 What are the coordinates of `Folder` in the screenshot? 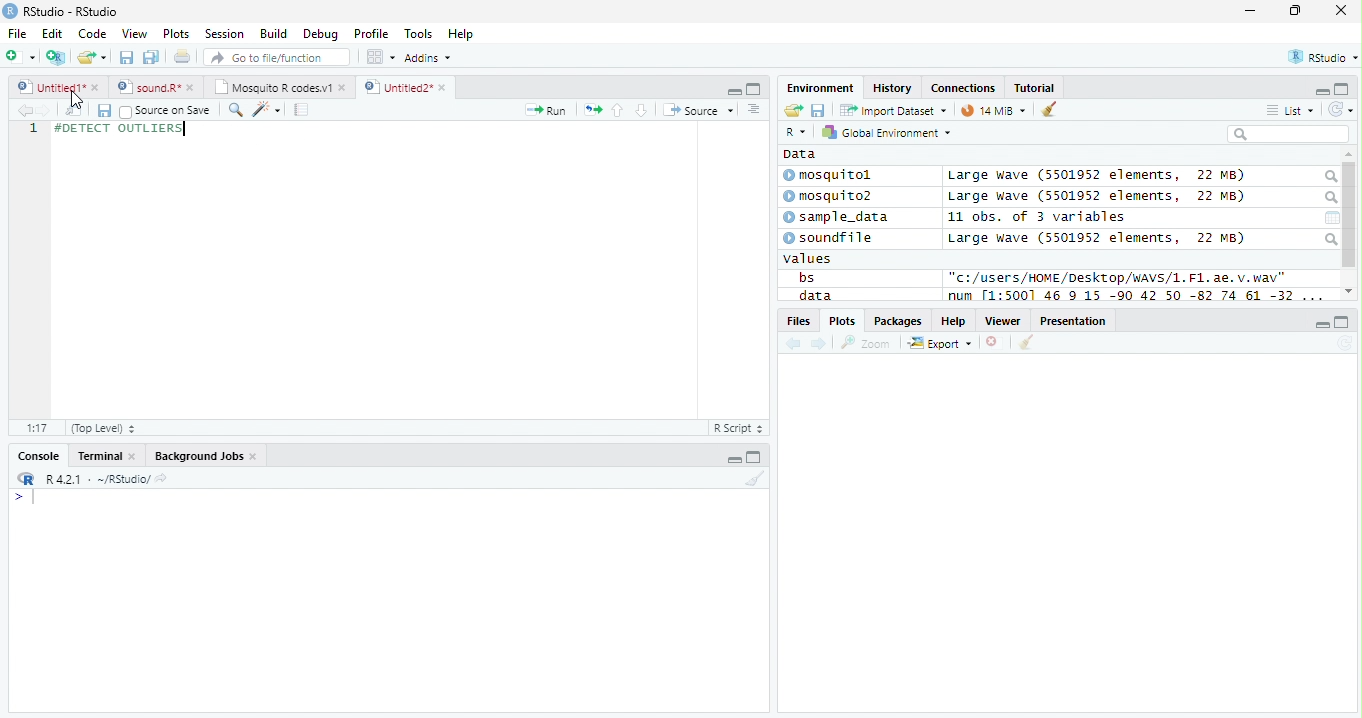 It's located at (793, 110).